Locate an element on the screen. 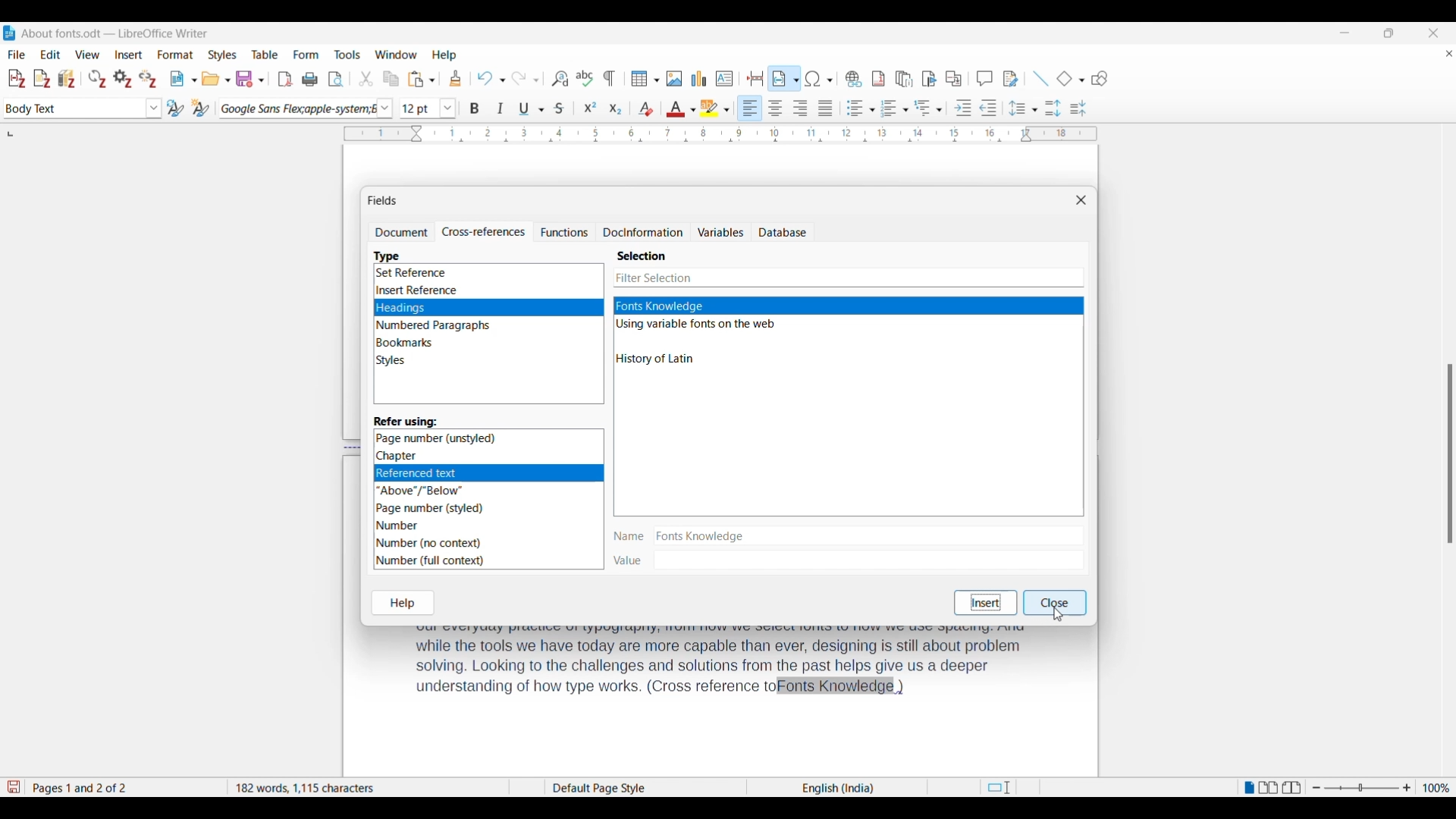 This screenshot has width=1456, height=819. Clone formatting is located at coordinates (456, 78).